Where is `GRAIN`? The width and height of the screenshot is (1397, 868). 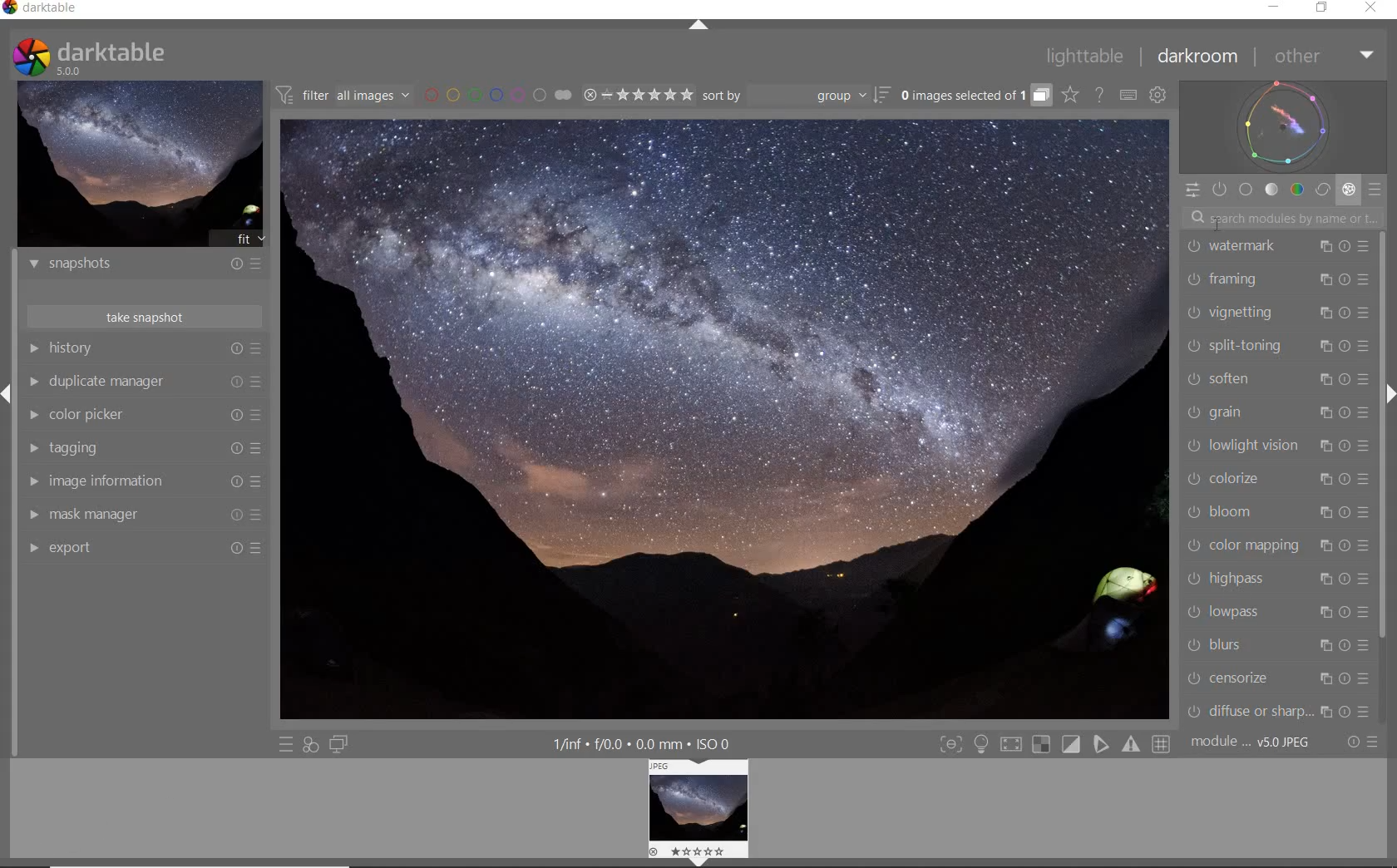
GRAIN is located at coordinates (1220, 413).